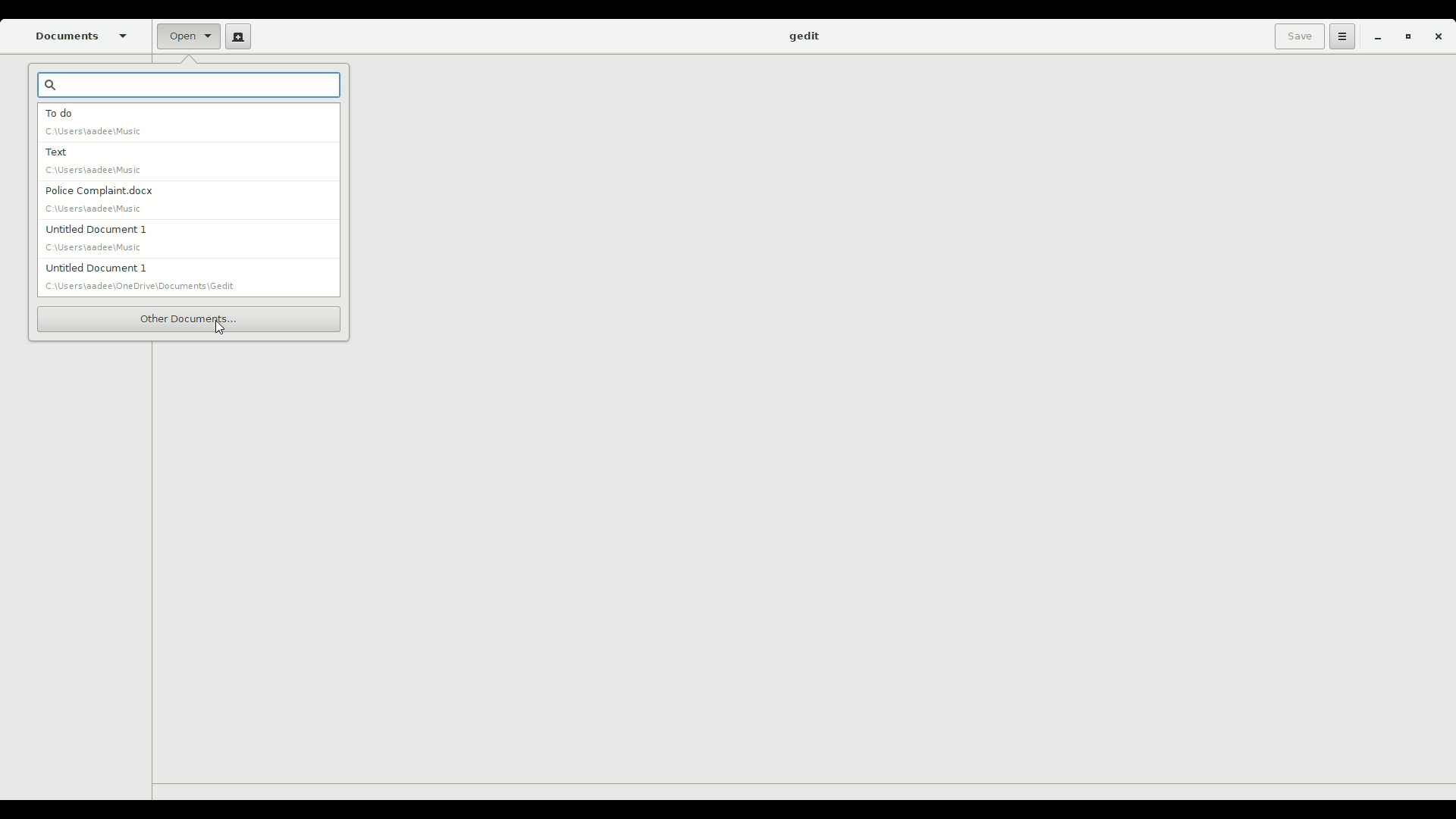 The image size is (1456, 819). I want to click on Open, so click(187, 38).